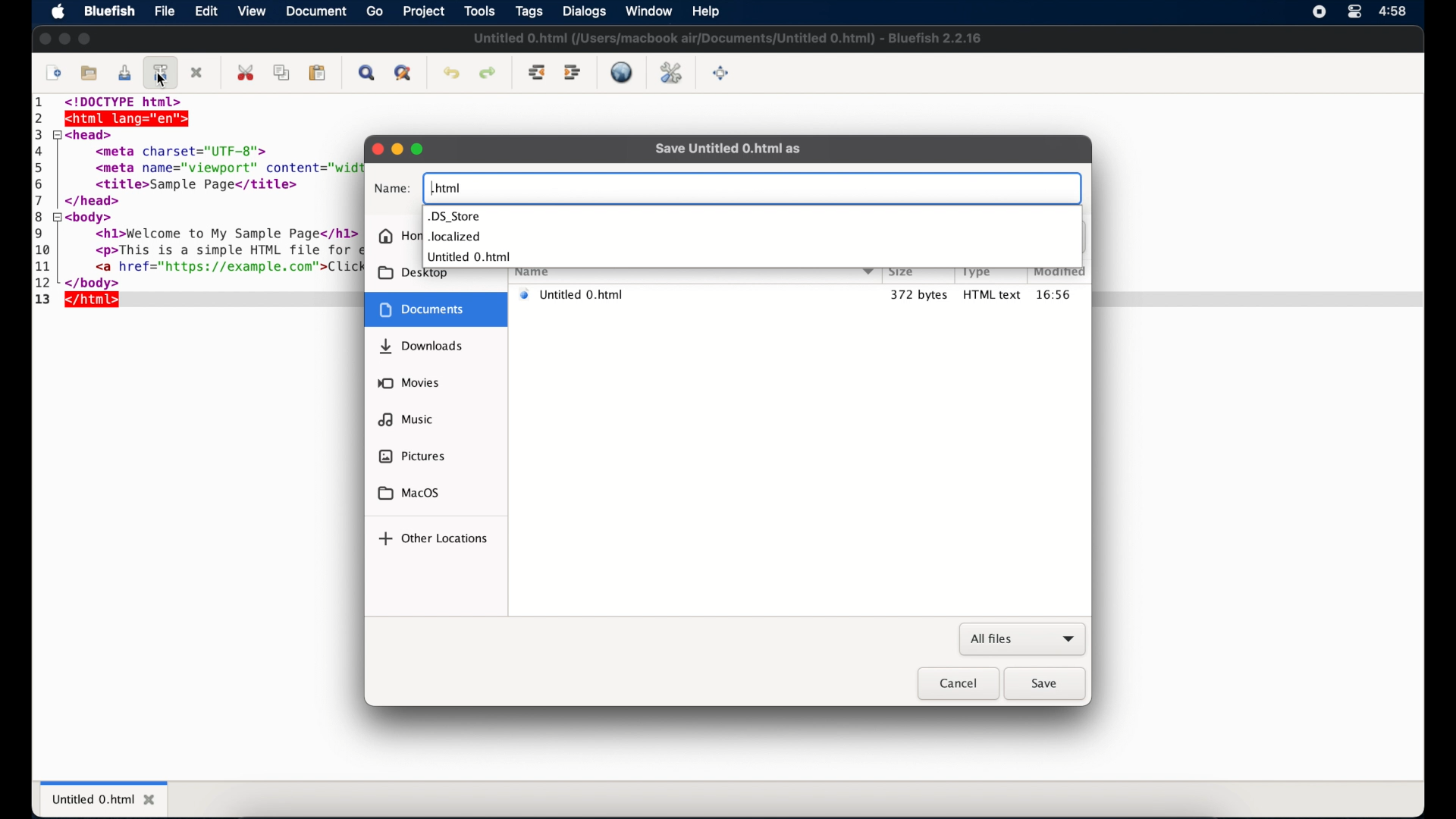 The height and width of the screenshot is (819, 1456). I want to click on html text, so click(993, 294).